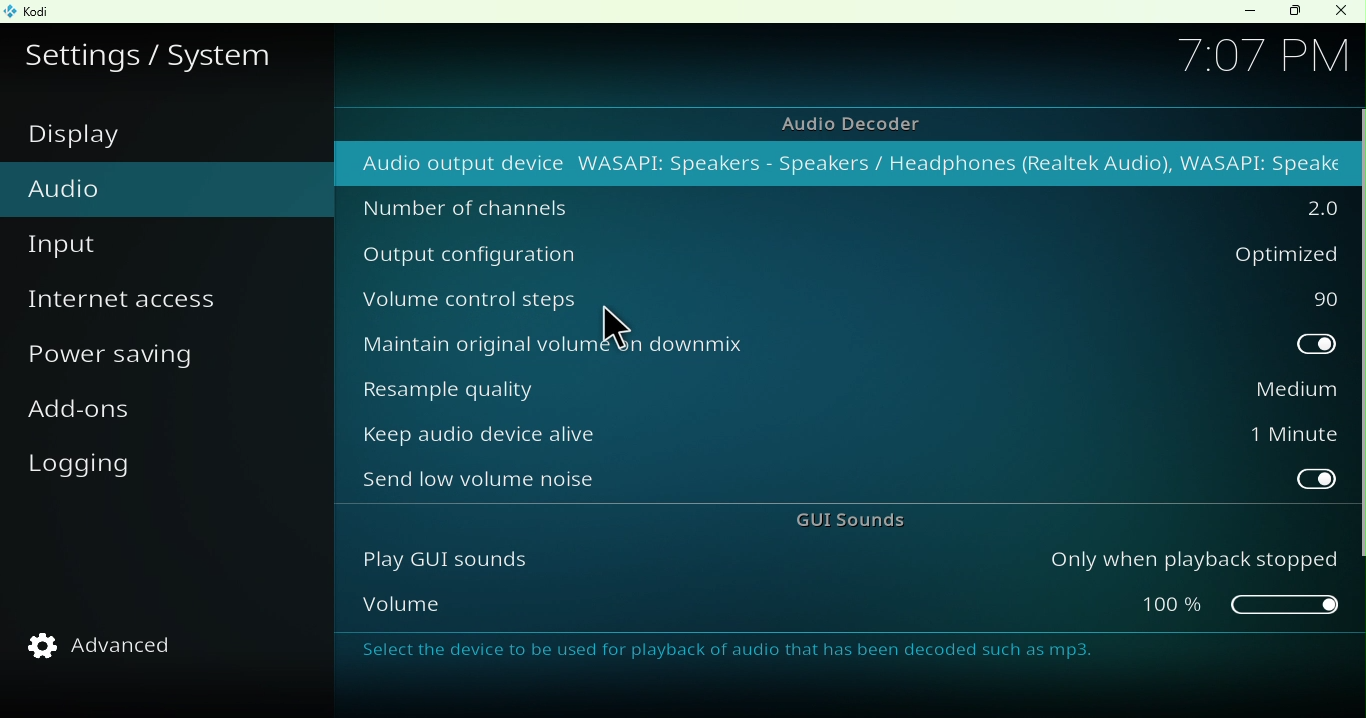  What do you see at coordinates (1218, 205) in the screenshot?
I see `2.0` at bounding box center [1218, 205].